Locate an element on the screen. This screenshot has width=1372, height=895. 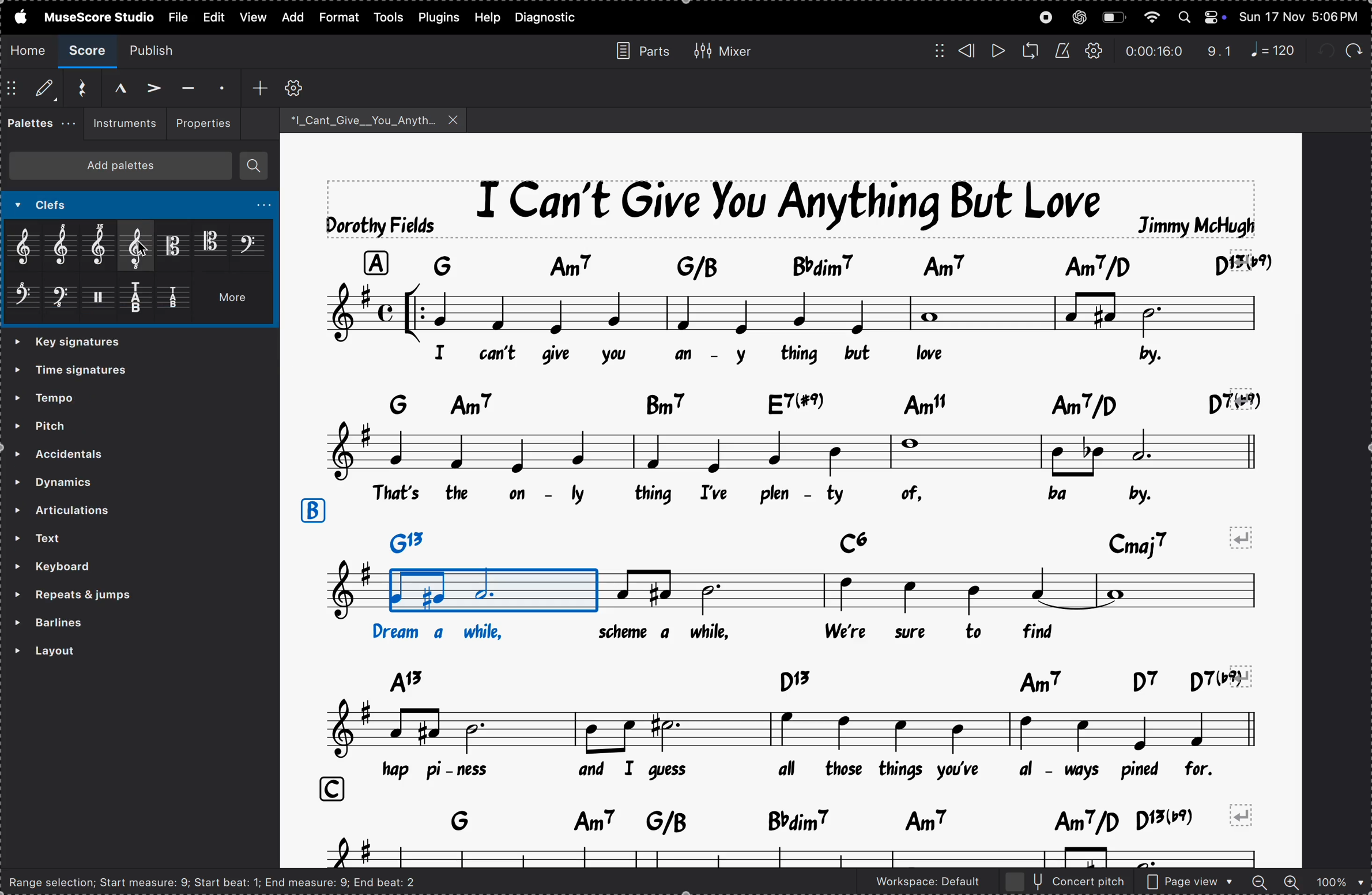
Marcato is located at coordinates (110, 87).